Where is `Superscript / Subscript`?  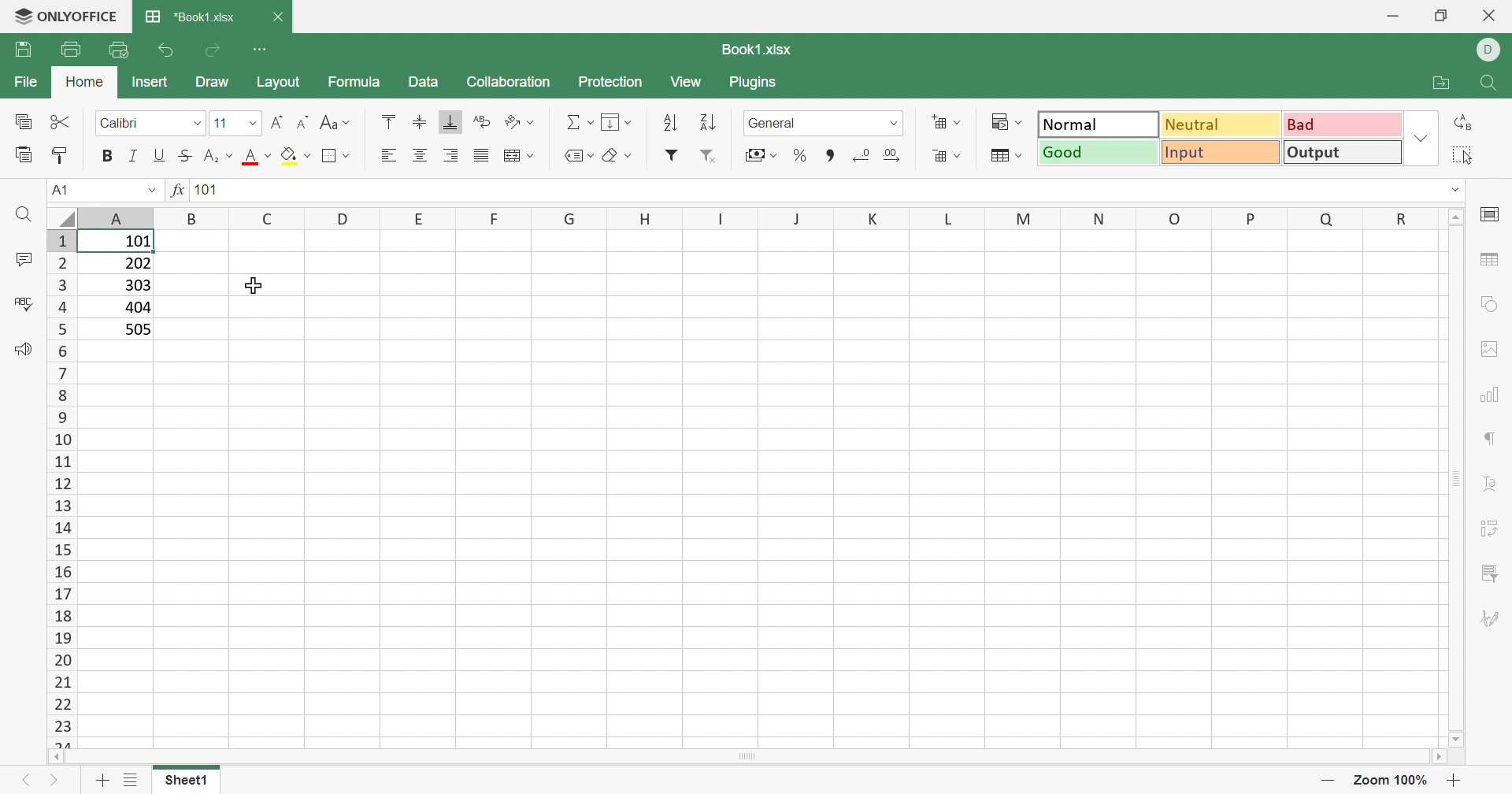
Superscript / Subscript is located at coordinates (219, 158).